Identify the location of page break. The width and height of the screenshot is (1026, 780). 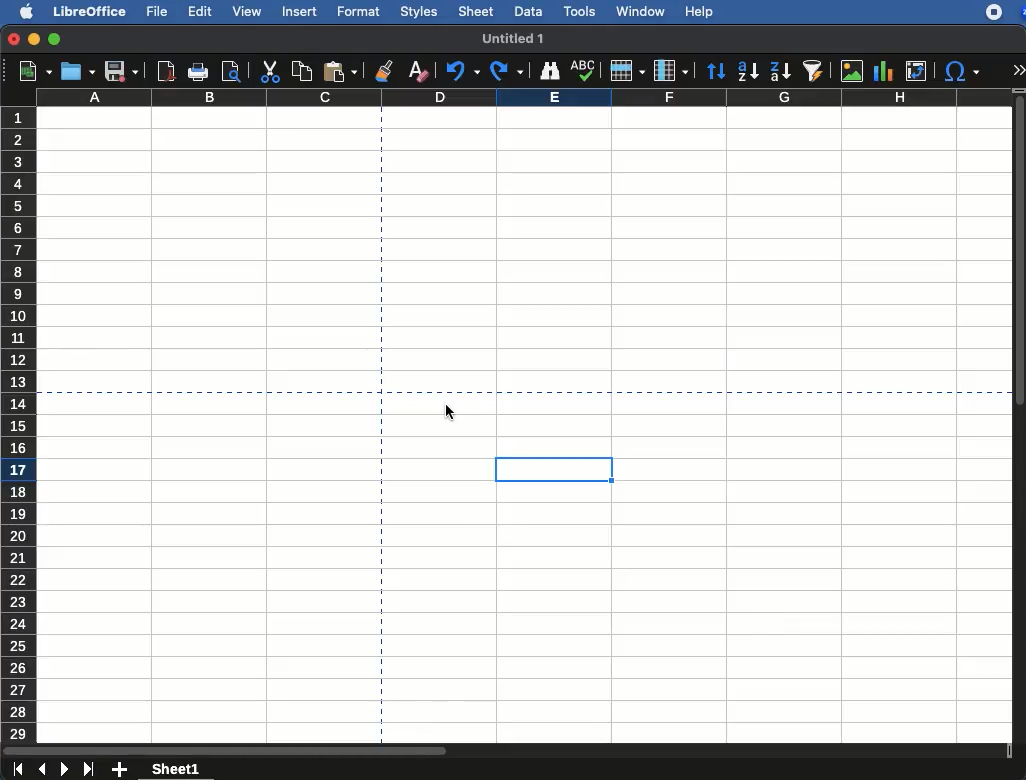
(382, 248).